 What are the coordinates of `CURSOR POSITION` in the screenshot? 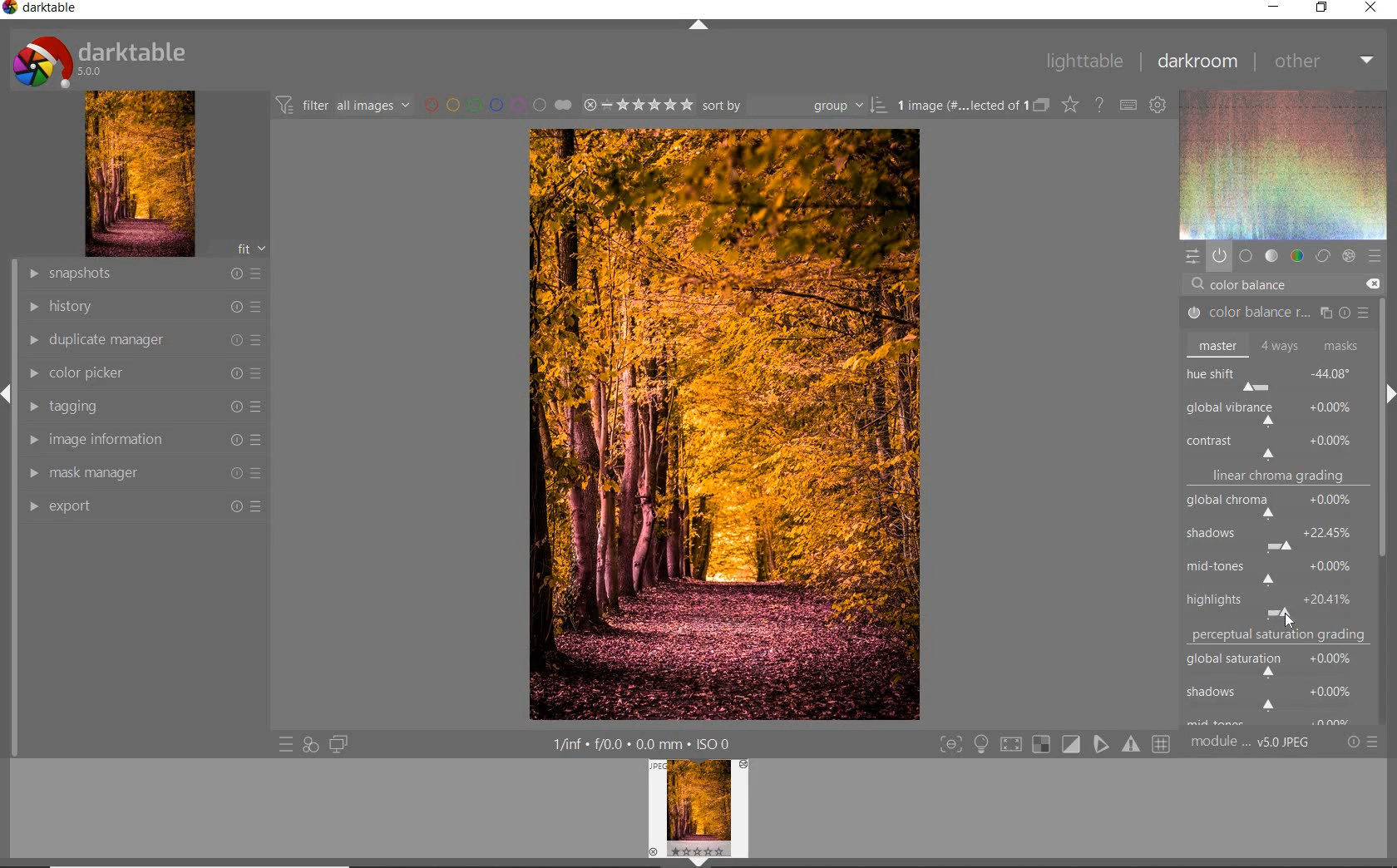 It's located at (1288, 620).